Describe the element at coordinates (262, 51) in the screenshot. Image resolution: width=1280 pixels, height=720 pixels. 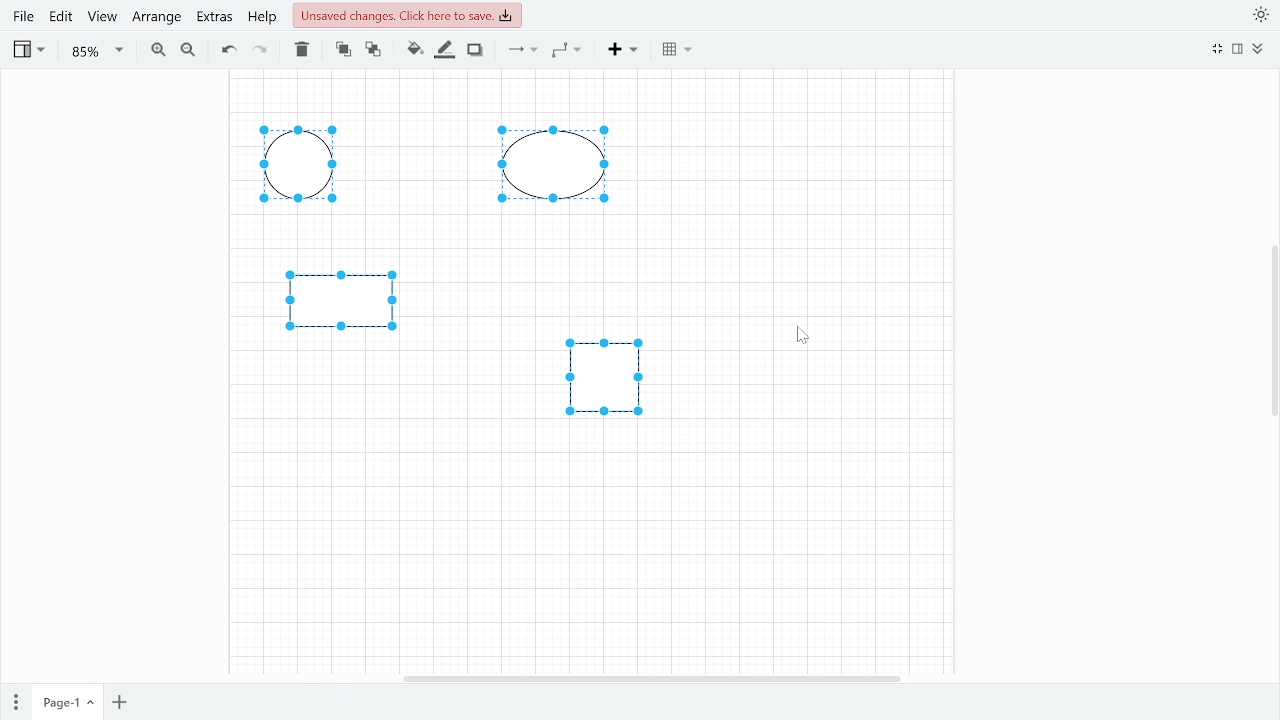
I see `Redo` at that location.